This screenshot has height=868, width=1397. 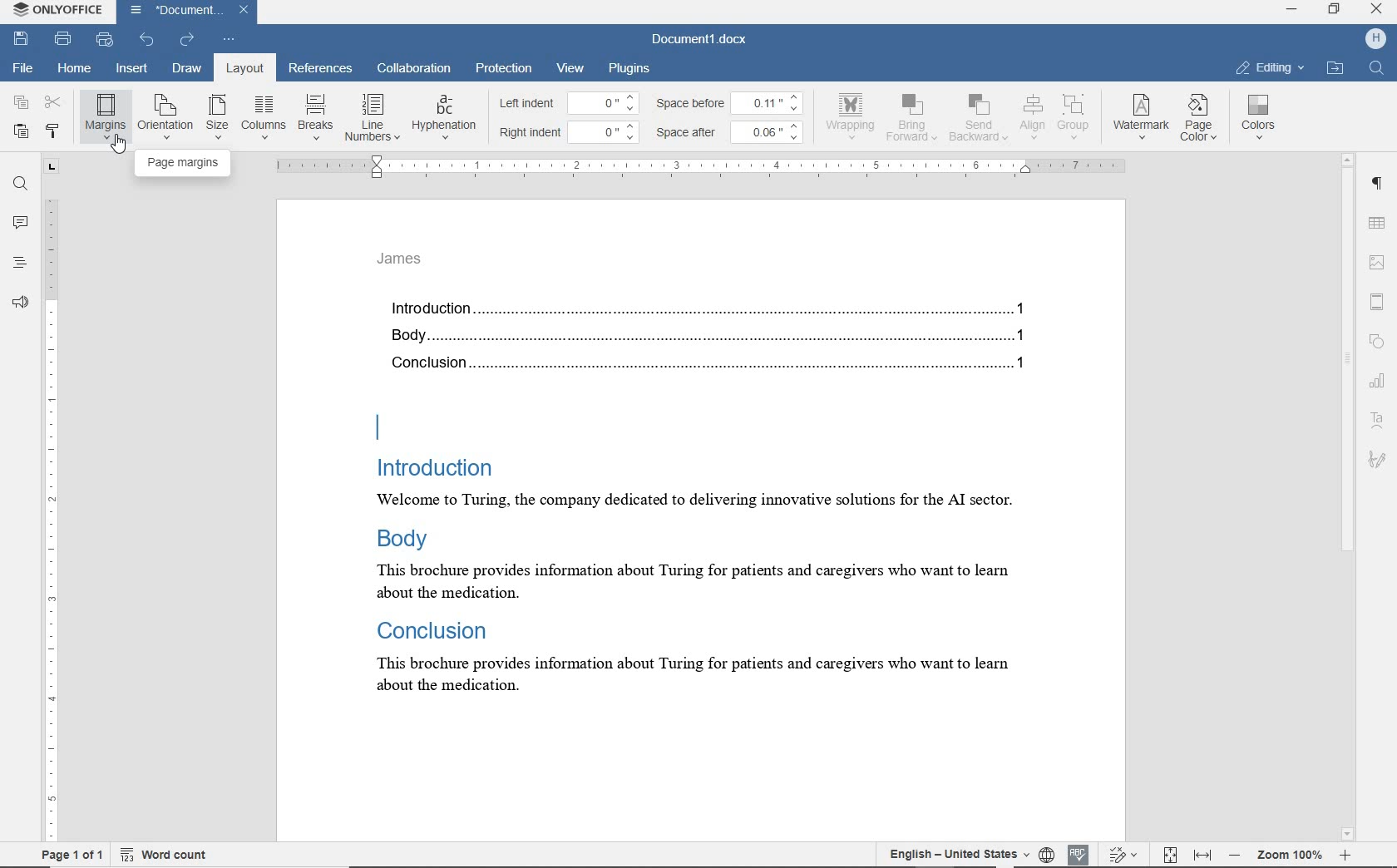 I want to click on document name, so click(x=174, y=11).